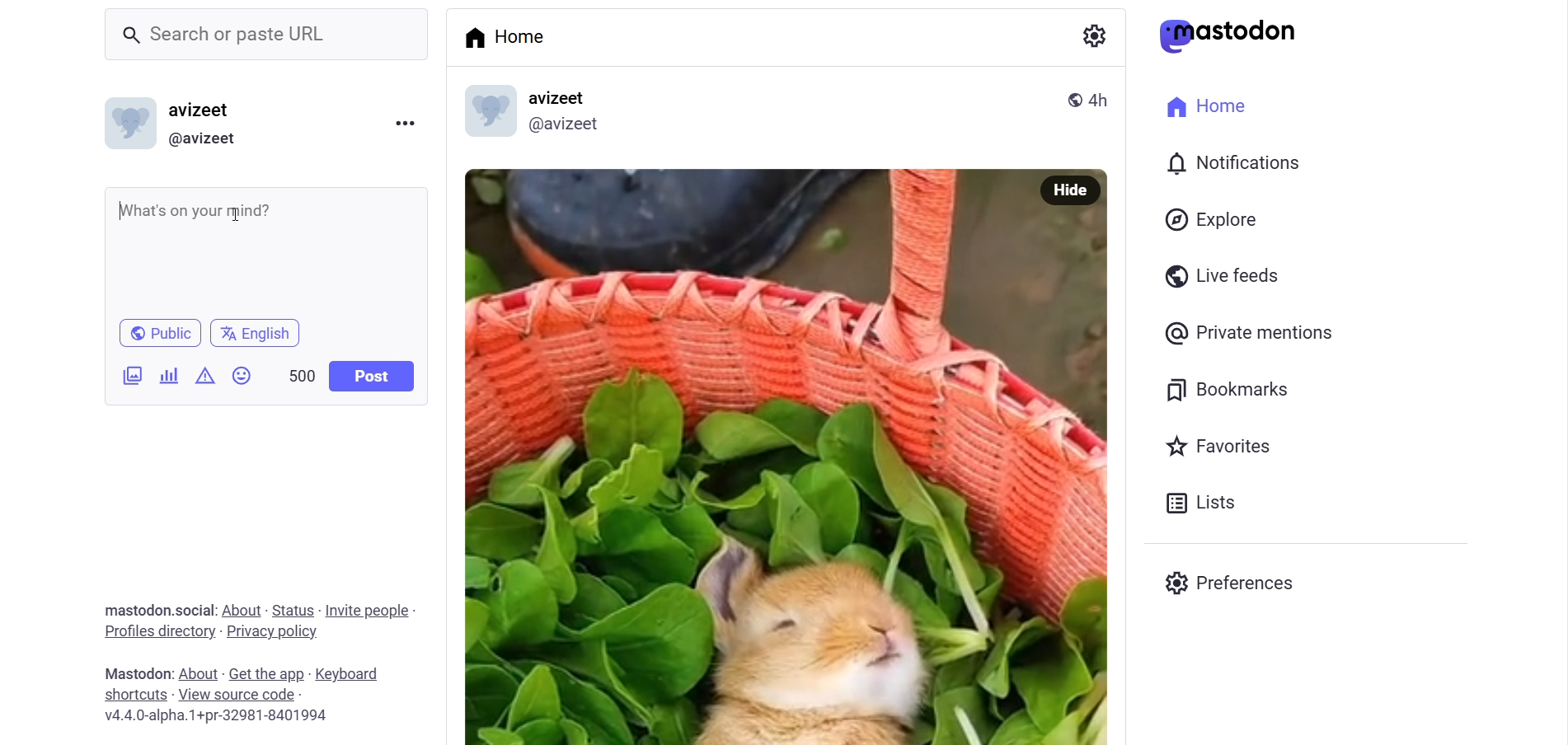 Image resolution: width=1568 pixels, height=745 pixels. Describe the element at coordinates (1226, 388) in the screenshot. I see `Bookmarks` at that location.